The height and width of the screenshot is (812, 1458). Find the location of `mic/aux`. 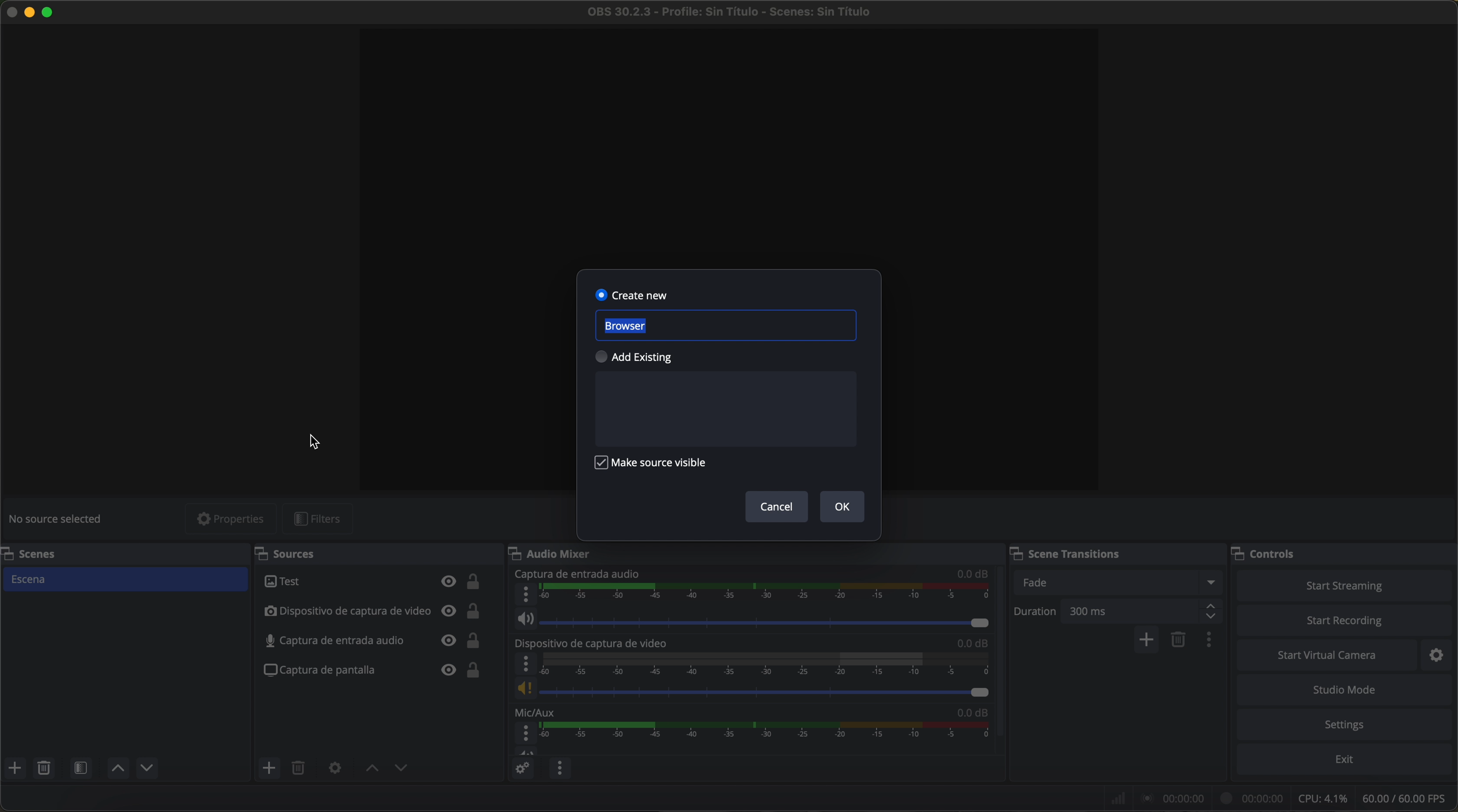

mic/aux is located at coordinates (541, 712).